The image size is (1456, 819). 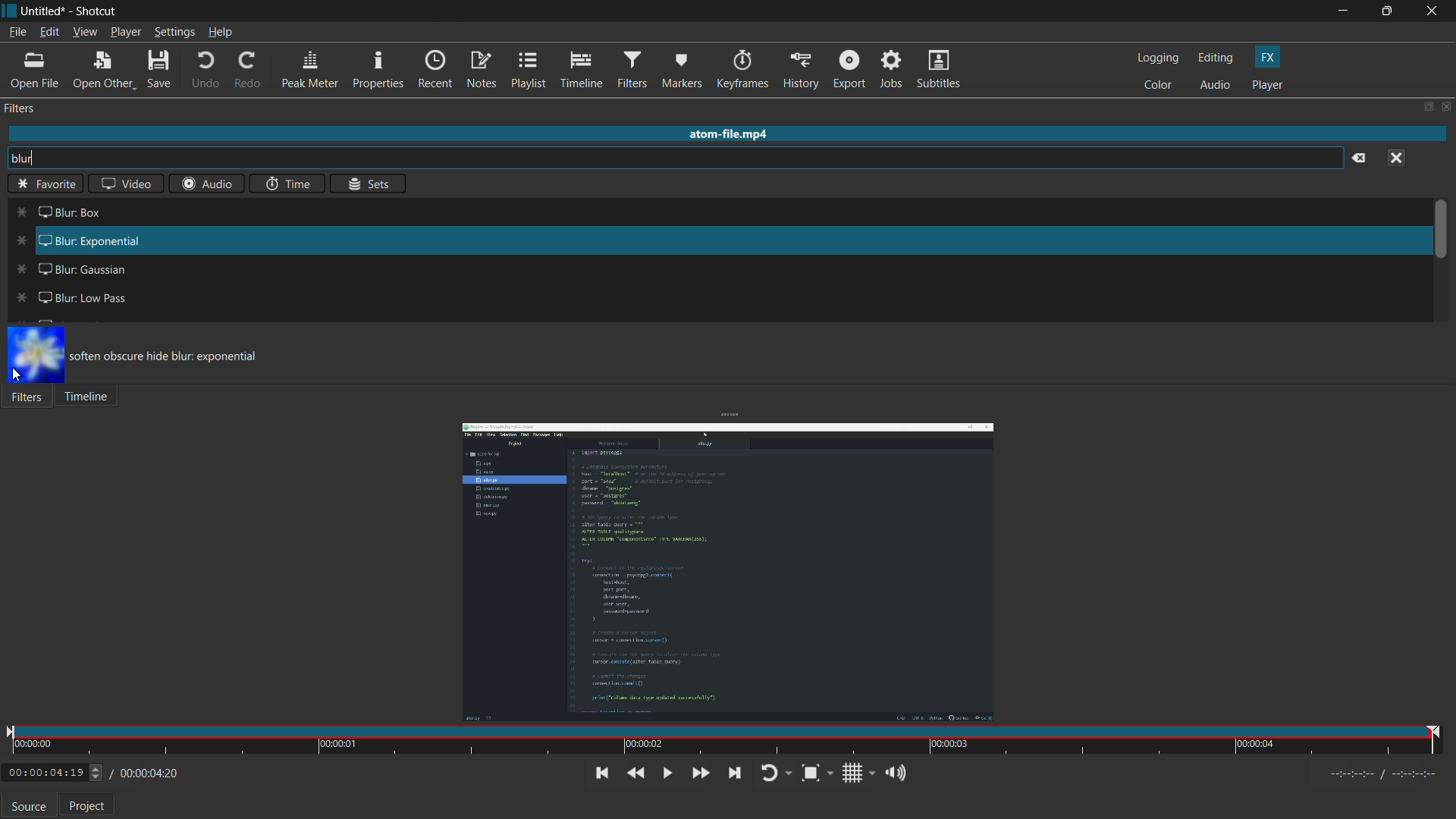 What do you see at coordinates (66, 270) in the screenshot?
I see `blur gaussian` at bounding box center [66, 270].